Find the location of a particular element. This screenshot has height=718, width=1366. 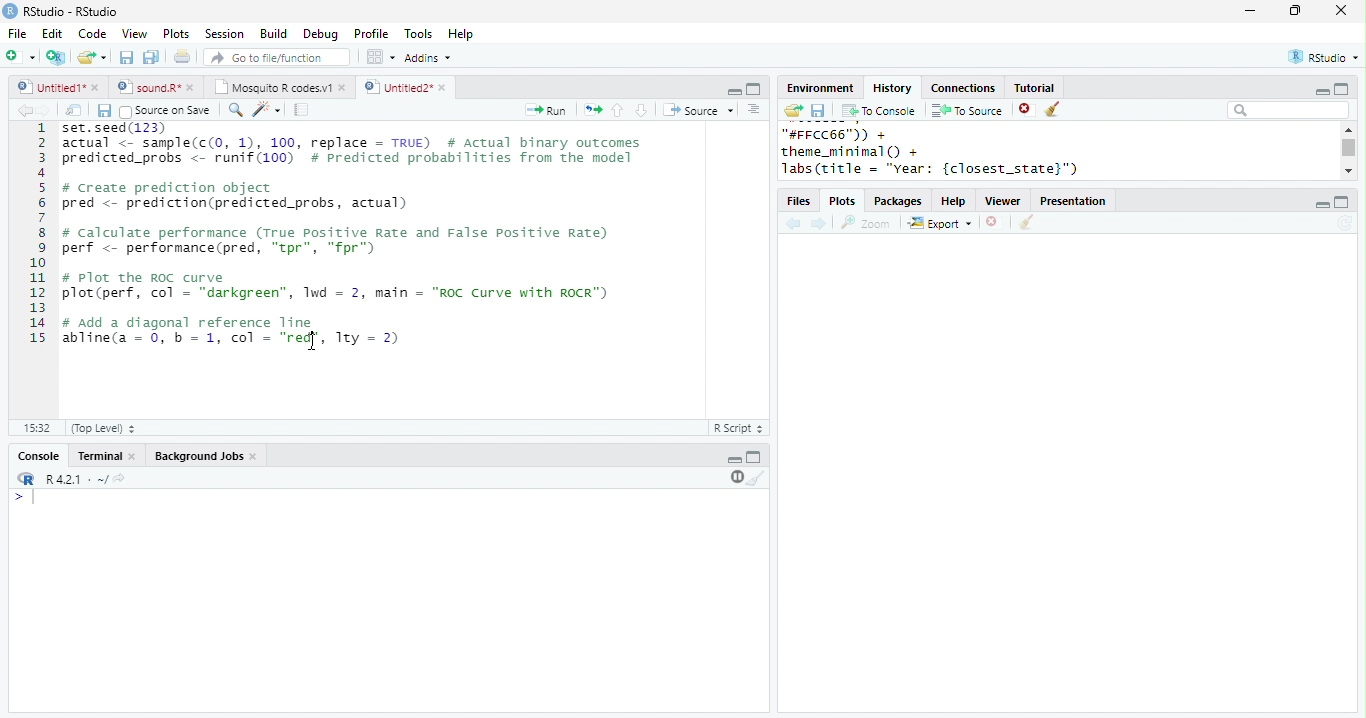

15:32 is located at coordinates (36, 427).